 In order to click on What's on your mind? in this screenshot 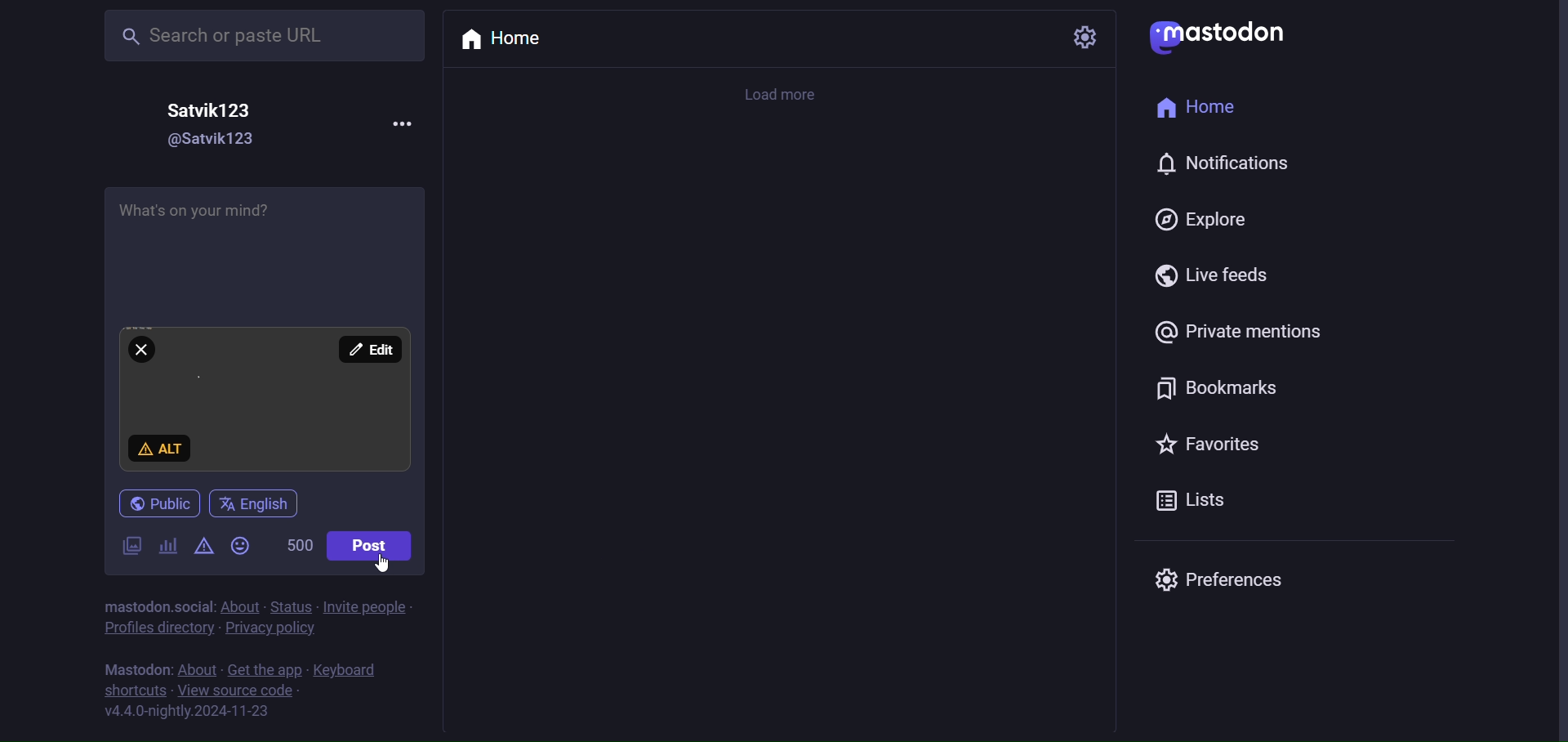, I will do `click(265, 244)`.